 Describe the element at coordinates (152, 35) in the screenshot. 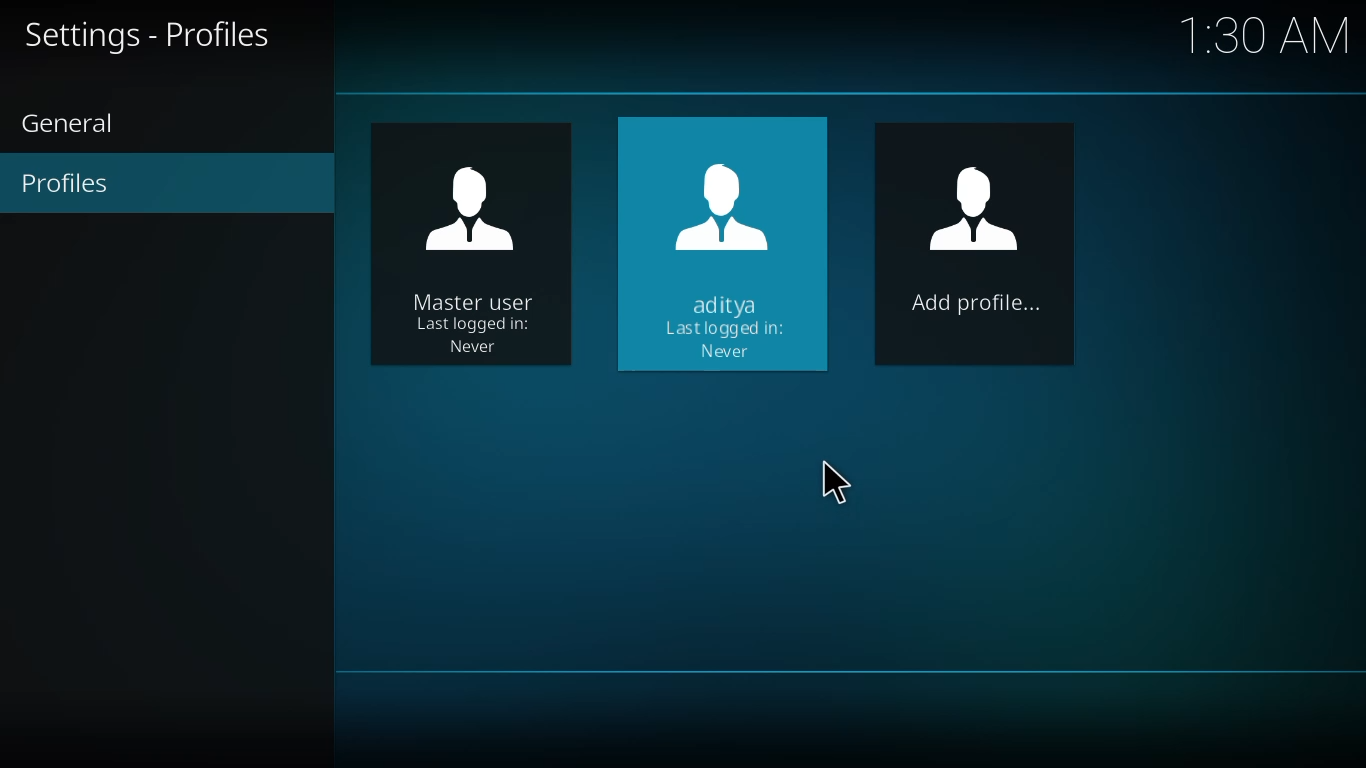

I see `profiles` at that location.